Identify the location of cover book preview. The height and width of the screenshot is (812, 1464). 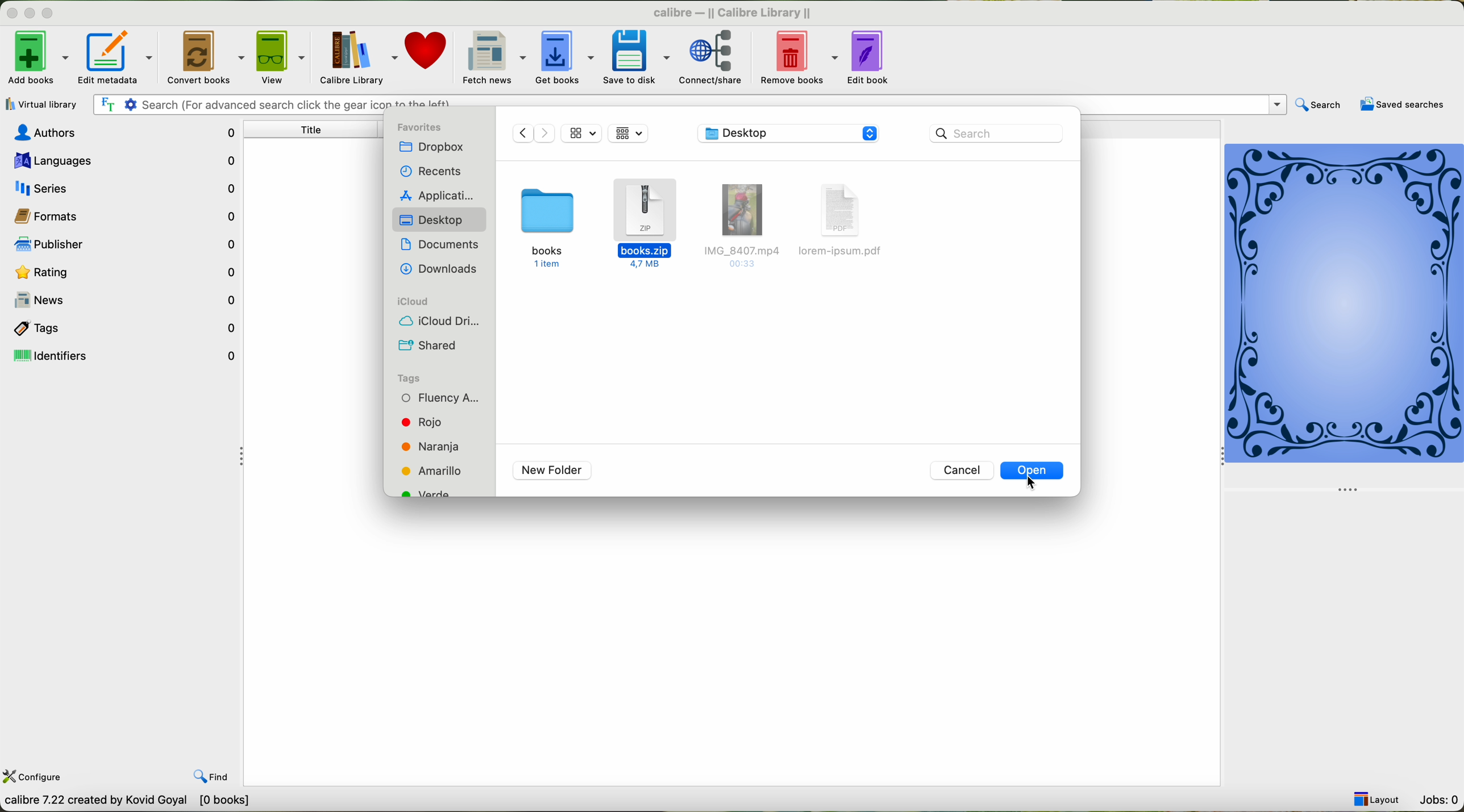
(1345, 316).